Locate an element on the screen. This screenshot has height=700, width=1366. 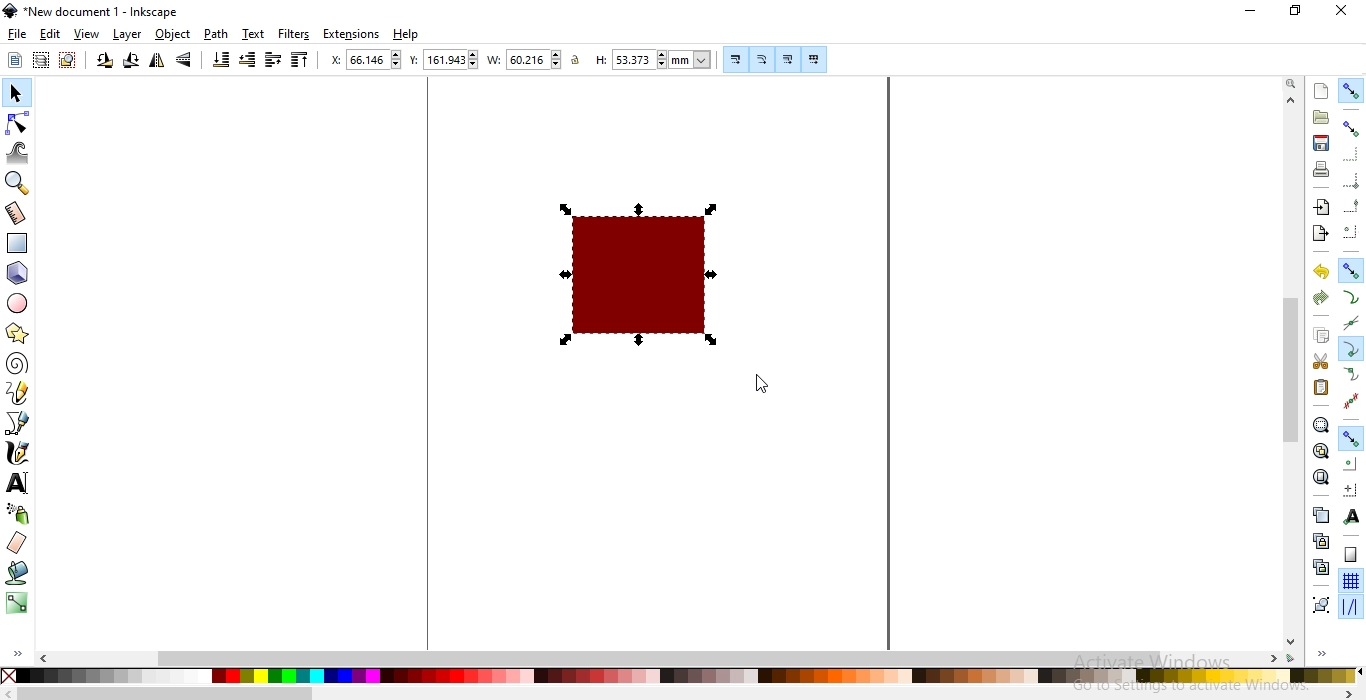
select and transform objects is located at coordinates (16, 93).